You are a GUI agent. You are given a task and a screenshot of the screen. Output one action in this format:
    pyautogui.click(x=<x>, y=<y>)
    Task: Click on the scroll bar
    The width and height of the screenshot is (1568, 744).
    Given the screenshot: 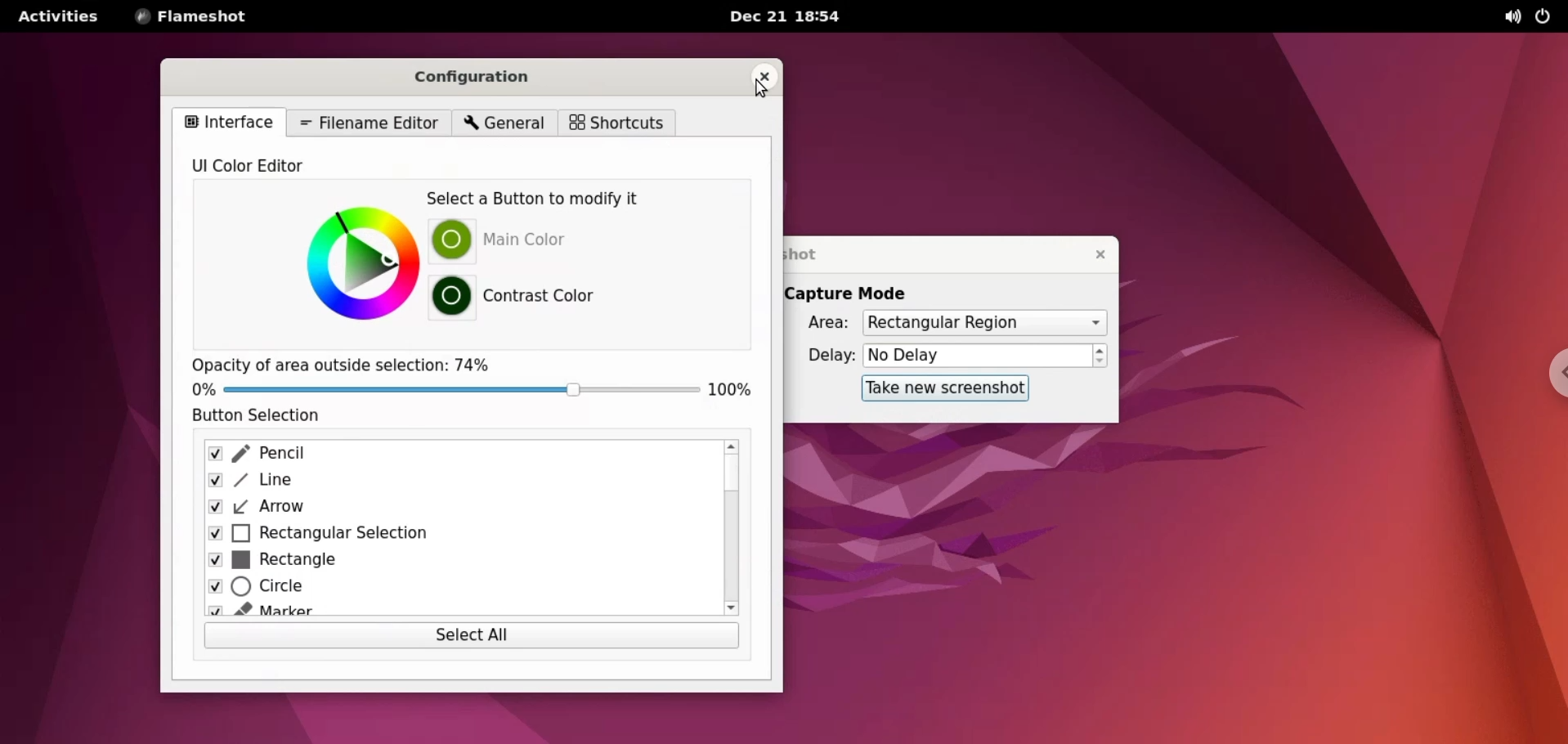 What is the action you would take?
    pyautogui.click(x=728, y=530)
    